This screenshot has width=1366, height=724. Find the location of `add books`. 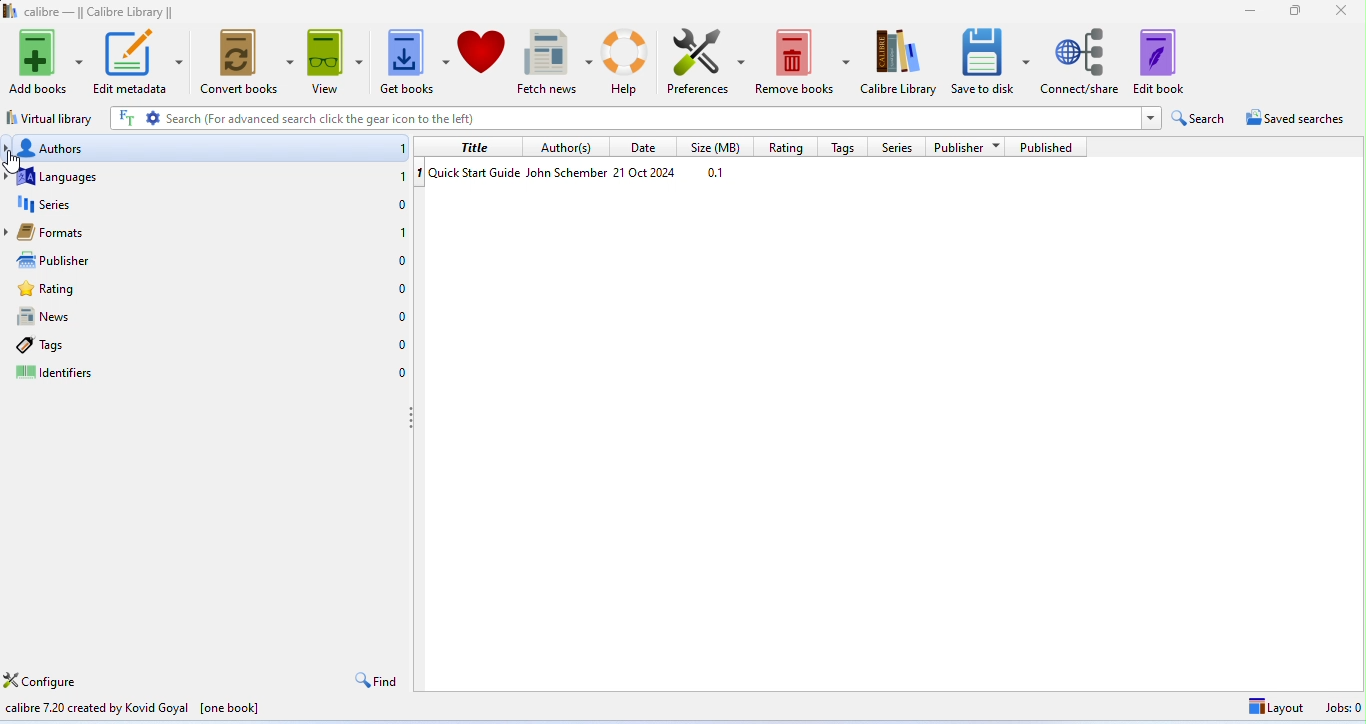

add books is located at coordinates (46, 60).